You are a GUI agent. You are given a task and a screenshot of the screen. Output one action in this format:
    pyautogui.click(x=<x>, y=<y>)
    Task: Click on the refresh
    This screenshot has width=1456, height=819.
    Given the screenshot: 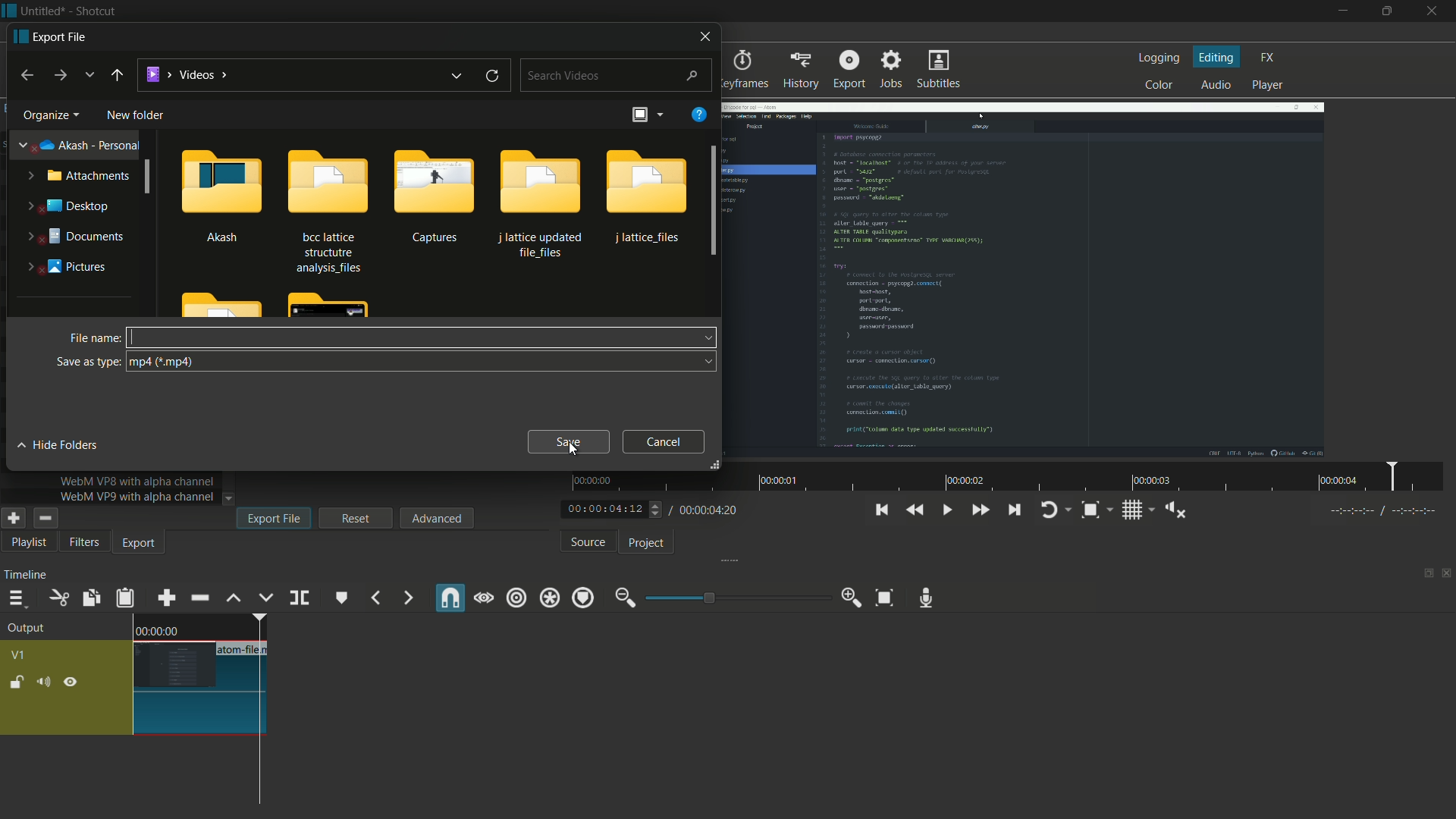 What is the action you would take?
    pyautogui.click(x=492, y=77)
    